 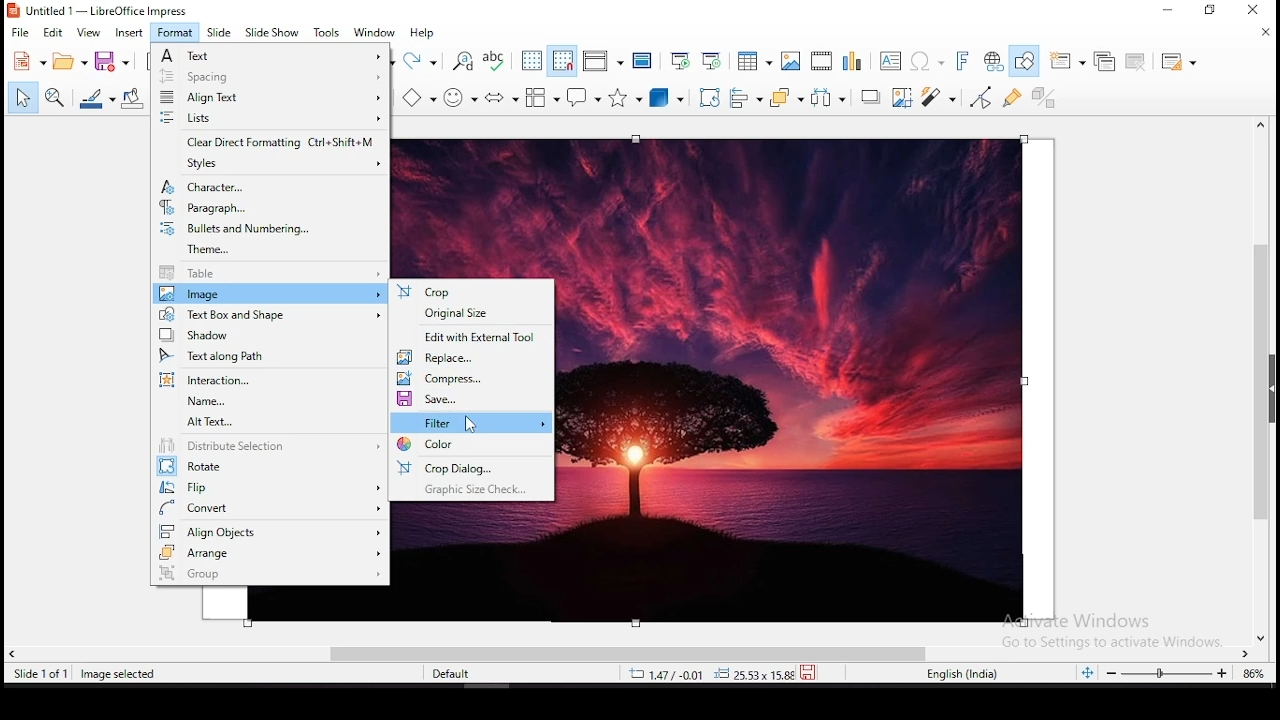 What do you see at coordinates (97, 97) in the screenshot?
I see `line color` at bounding box center [97, 97].